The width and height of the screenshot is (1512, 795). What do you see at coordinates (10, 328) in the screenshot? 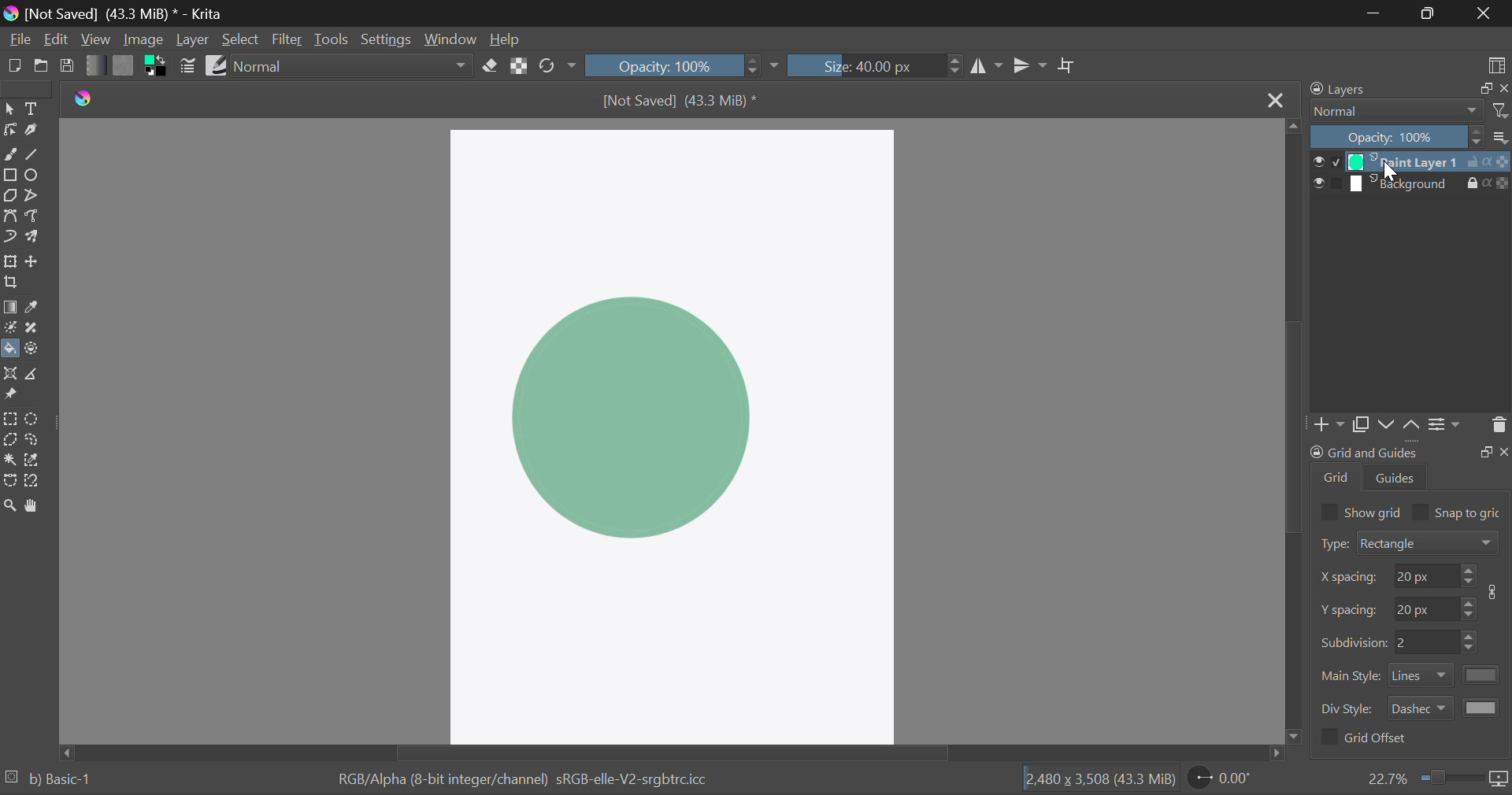
I see `Colorize Mask Tool` at bounding box center [10, 328].